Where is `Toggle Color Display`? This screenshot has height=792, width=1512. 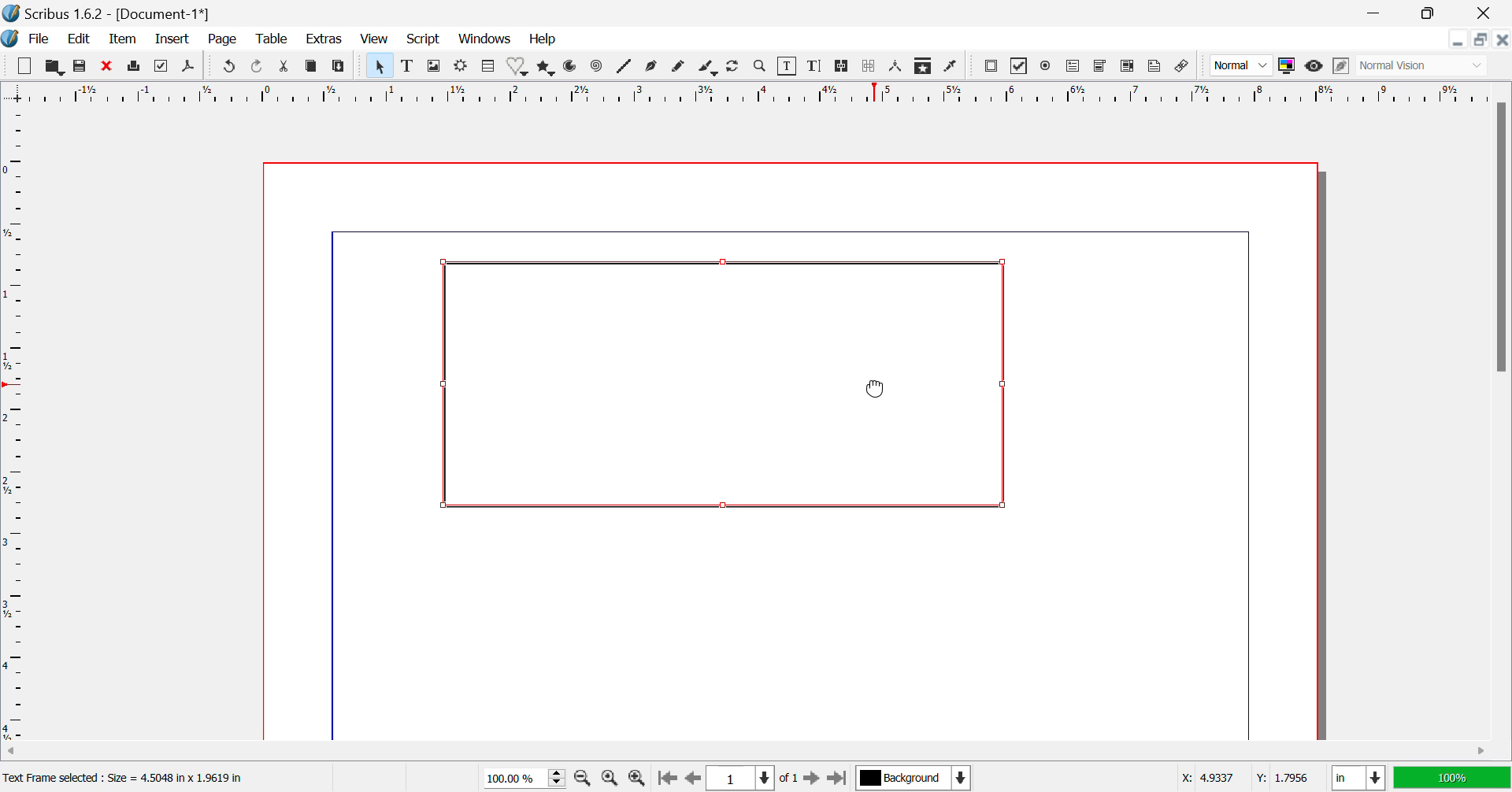 Toggle Color Display is located at coordinates (1289, 67).